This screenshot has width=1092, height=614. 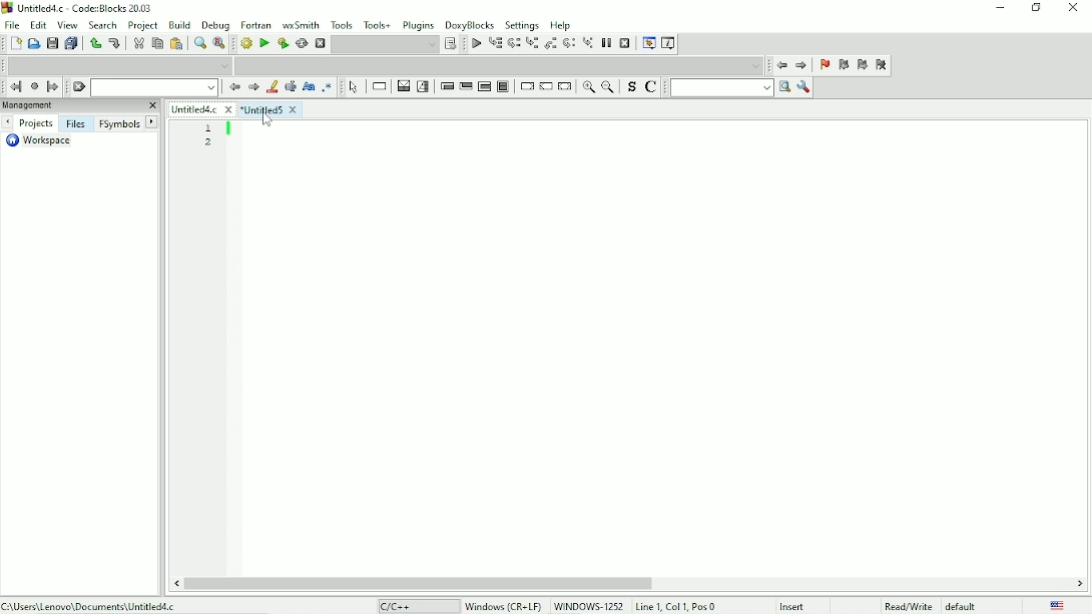 I want to click on Toggle comments, so click(x=650, y=88).